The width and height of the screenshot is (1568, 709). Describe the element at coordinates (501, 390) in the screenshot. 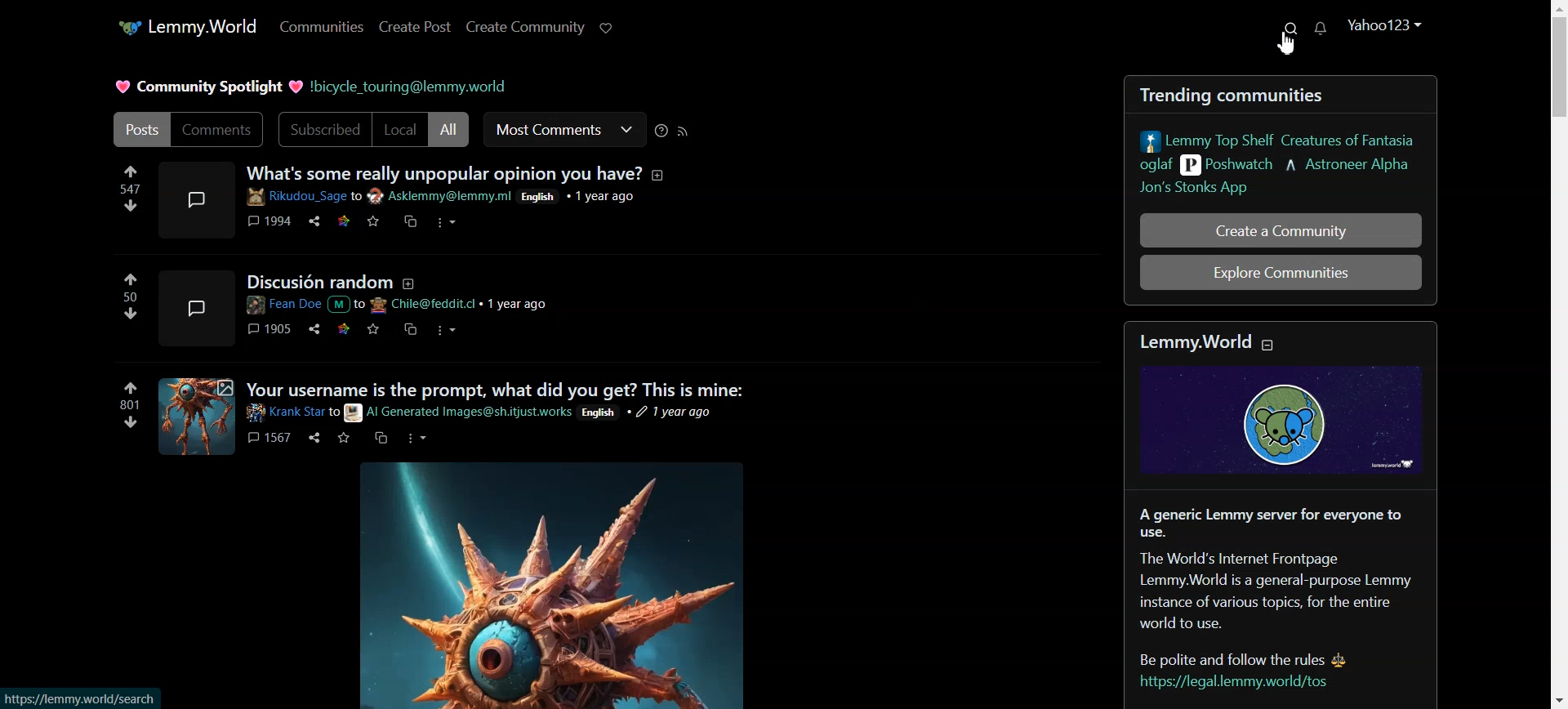

I see `A Your username is the prompt, what did you get? This is mine:` at that location.